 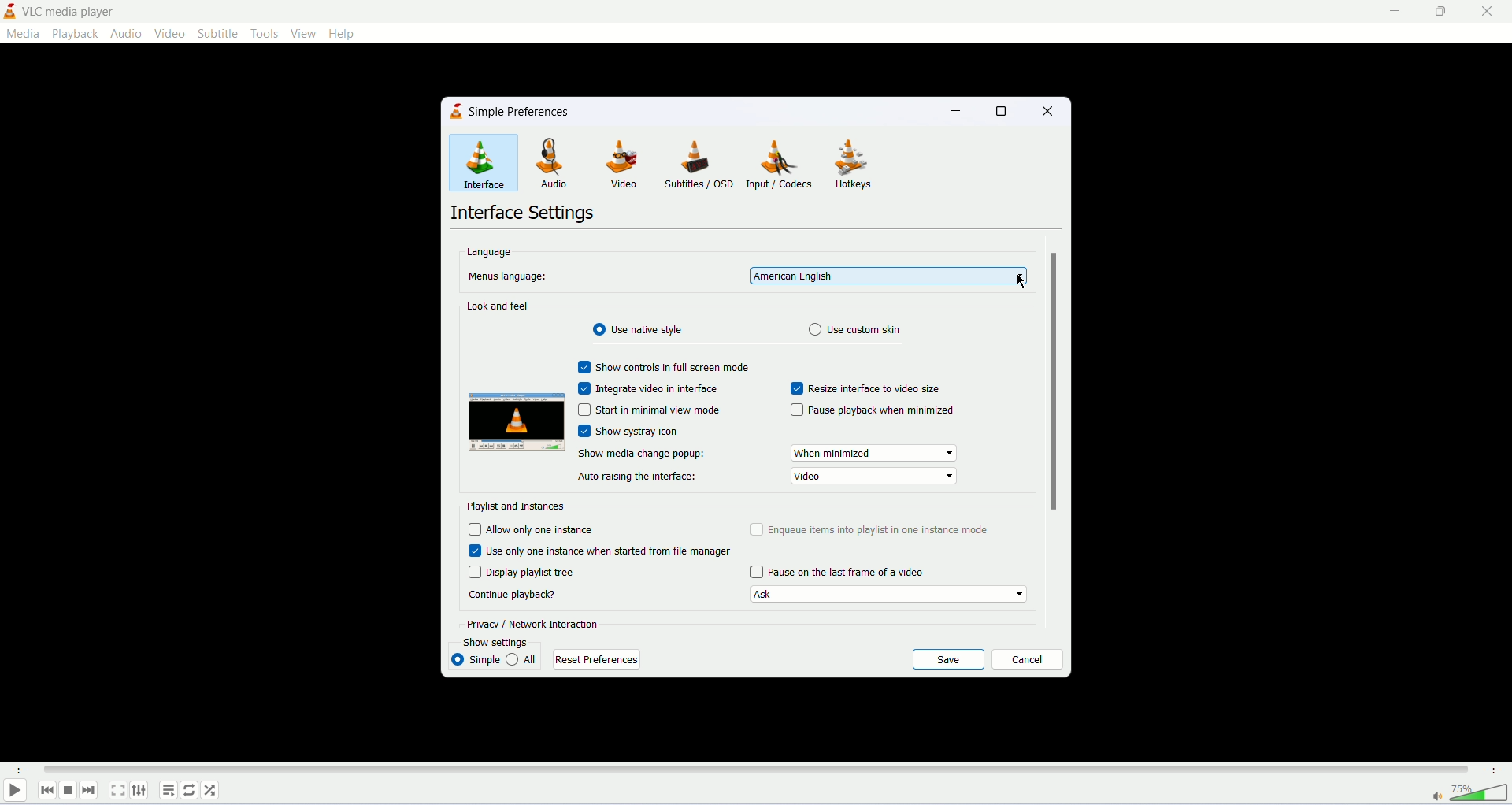 What do you see at coordinates (143, 792) in the screenshot?
I see `extended settings` at bounding box center [143, 792].